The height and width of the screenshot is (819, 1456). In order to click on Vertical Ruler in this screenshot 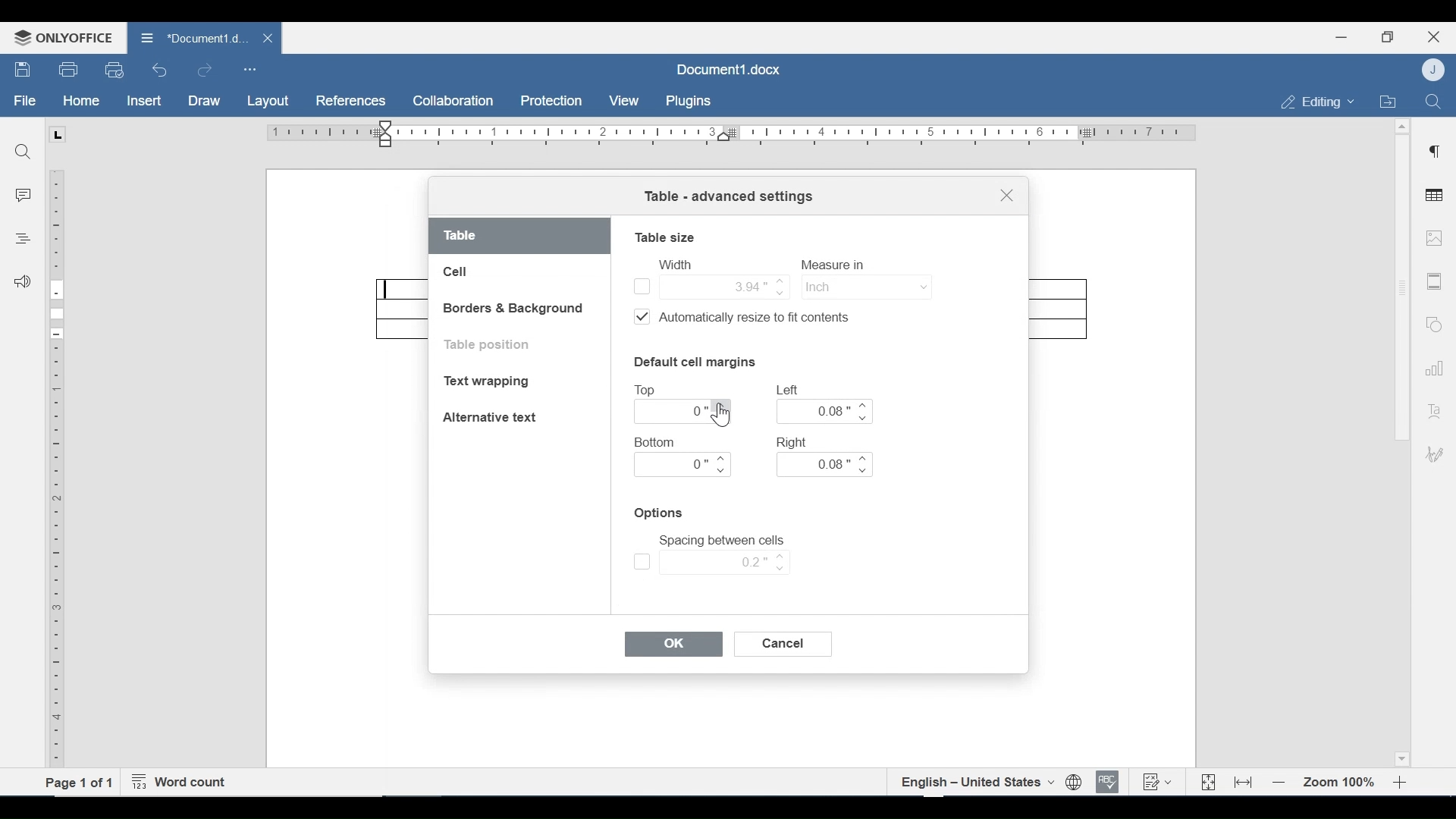, I will do `click(58, 469)`.